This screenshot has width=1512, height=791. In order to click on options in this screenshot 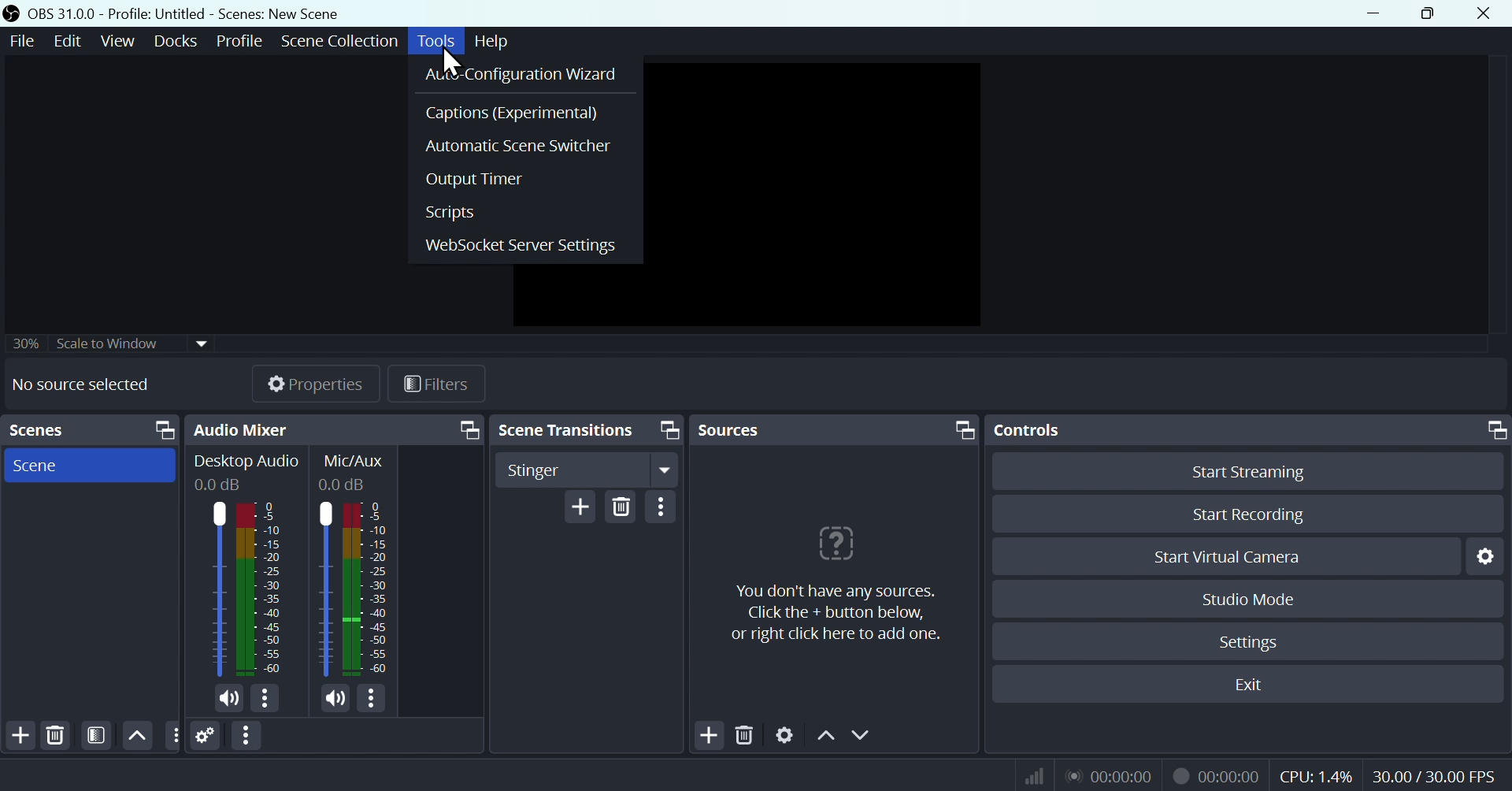, I will do `click(264, 698)`.